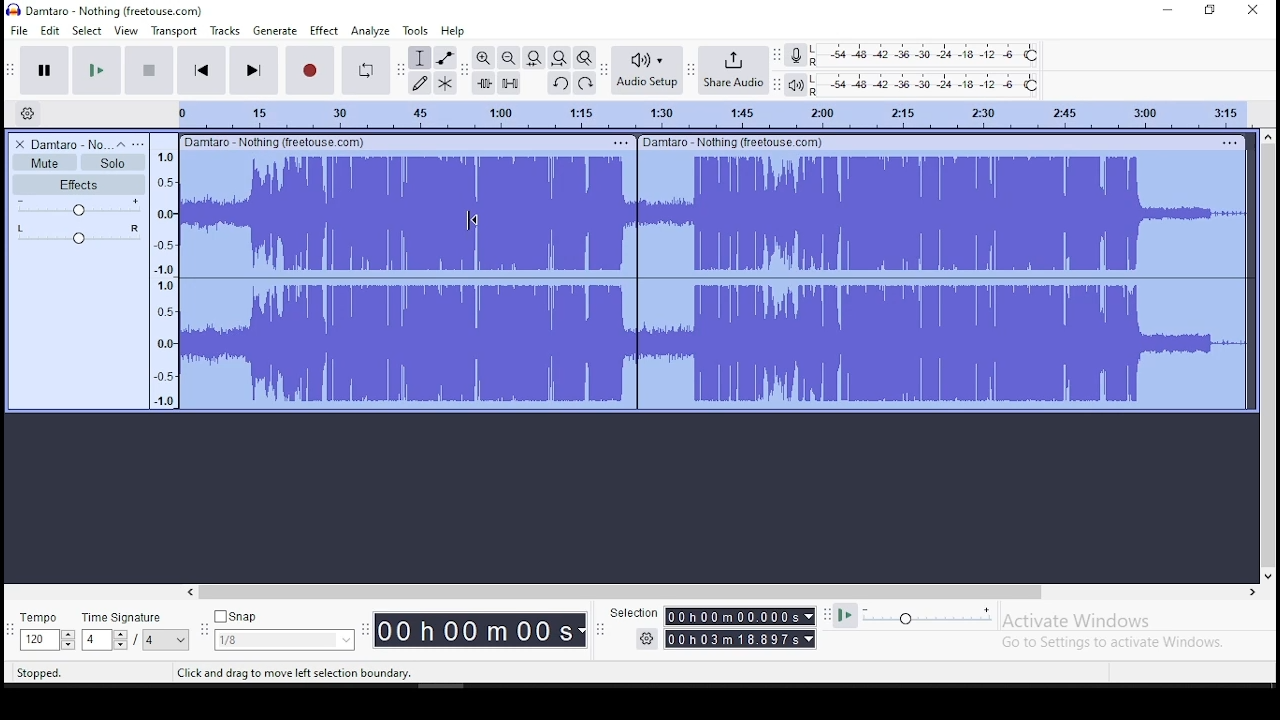  Describe the element at coordinates (794, 56) in the screenshot. I see `record meter` at that location.